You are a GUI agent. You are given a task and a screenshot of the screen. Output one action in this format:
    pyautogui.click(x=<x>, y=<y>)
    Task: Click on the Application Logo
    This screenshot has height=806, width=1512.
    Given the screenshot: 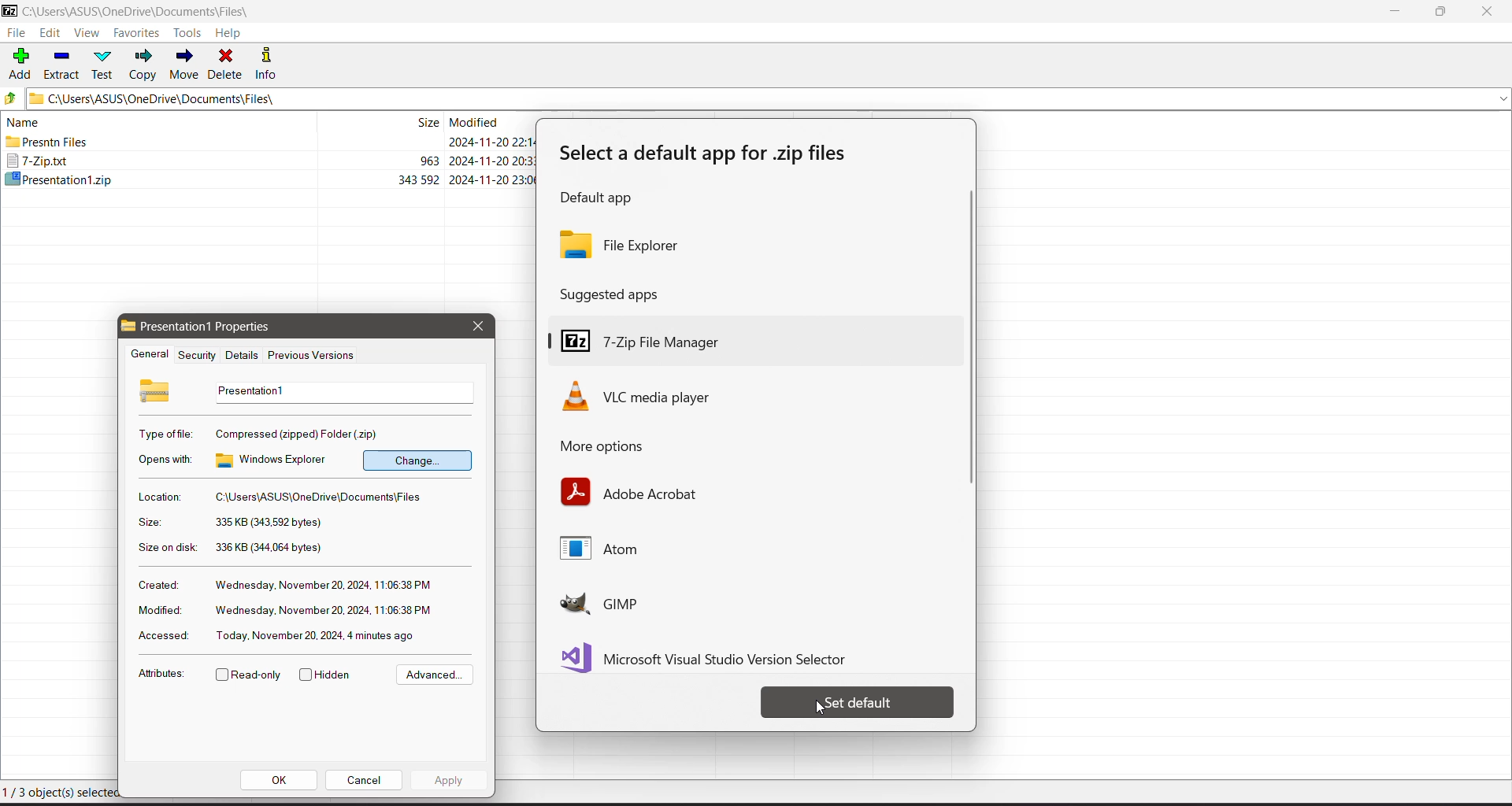 What is the action you would take?
    pyautogui.click(x=9, y=12)
    